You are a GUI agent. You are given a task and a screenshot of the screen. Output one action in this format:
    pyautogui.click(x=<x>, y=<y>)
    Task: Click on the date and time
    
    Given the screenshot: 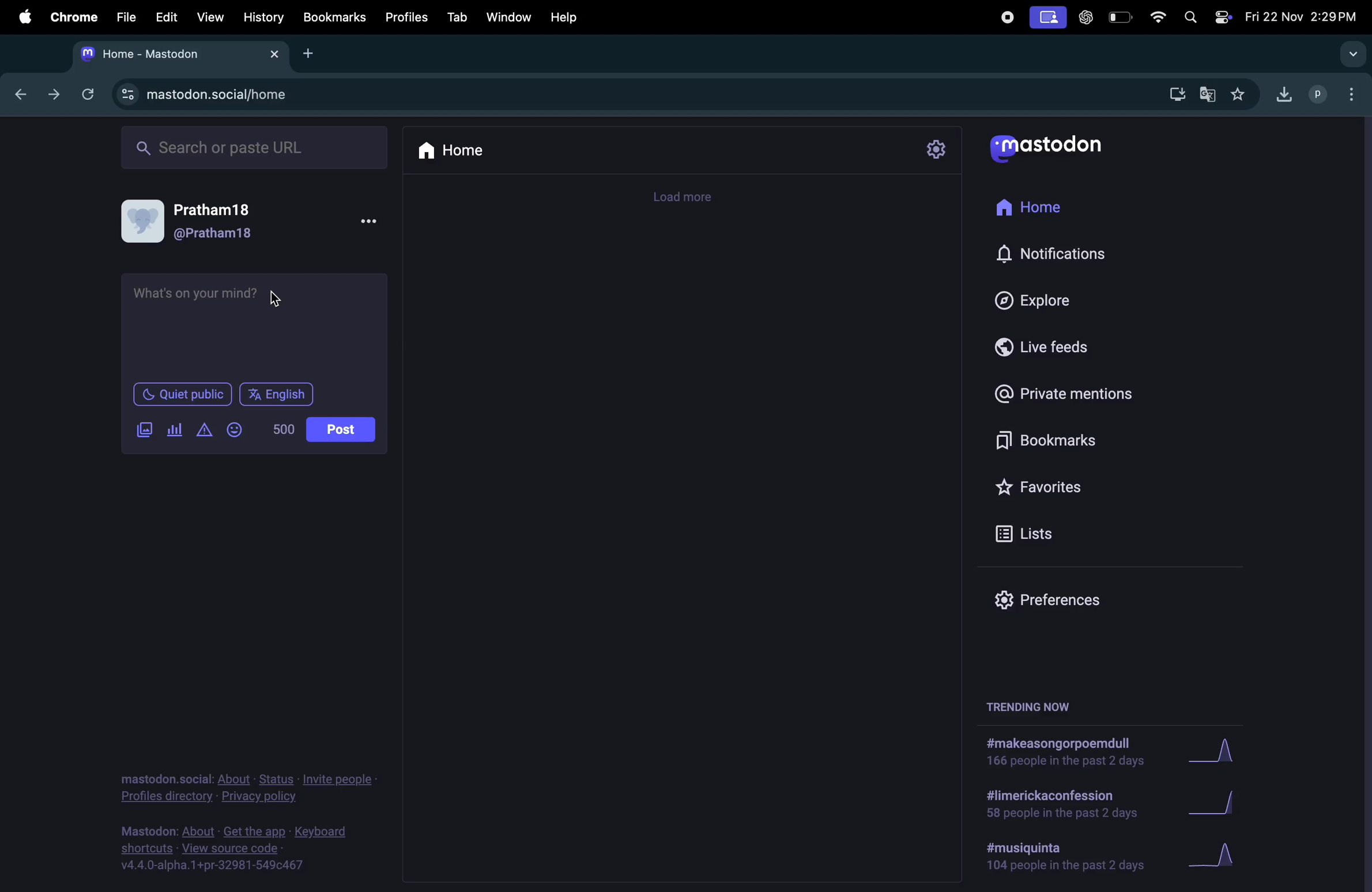 What is the action you would take?
    pyautogui.click(x=1305, y=16)
    